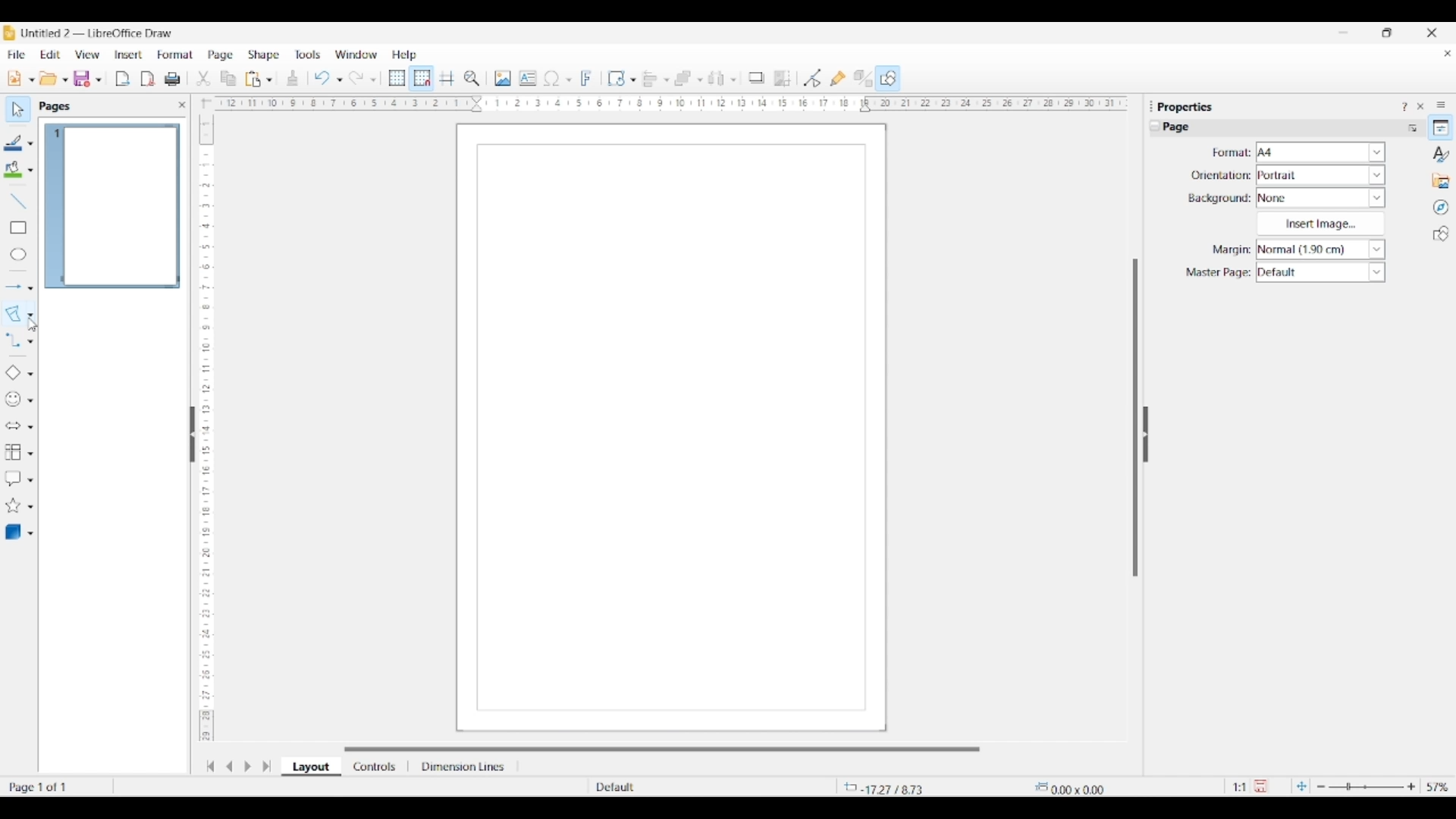 This screenshot has width=1456, height=819. I want to click on Margin options, so click(1320, 249).